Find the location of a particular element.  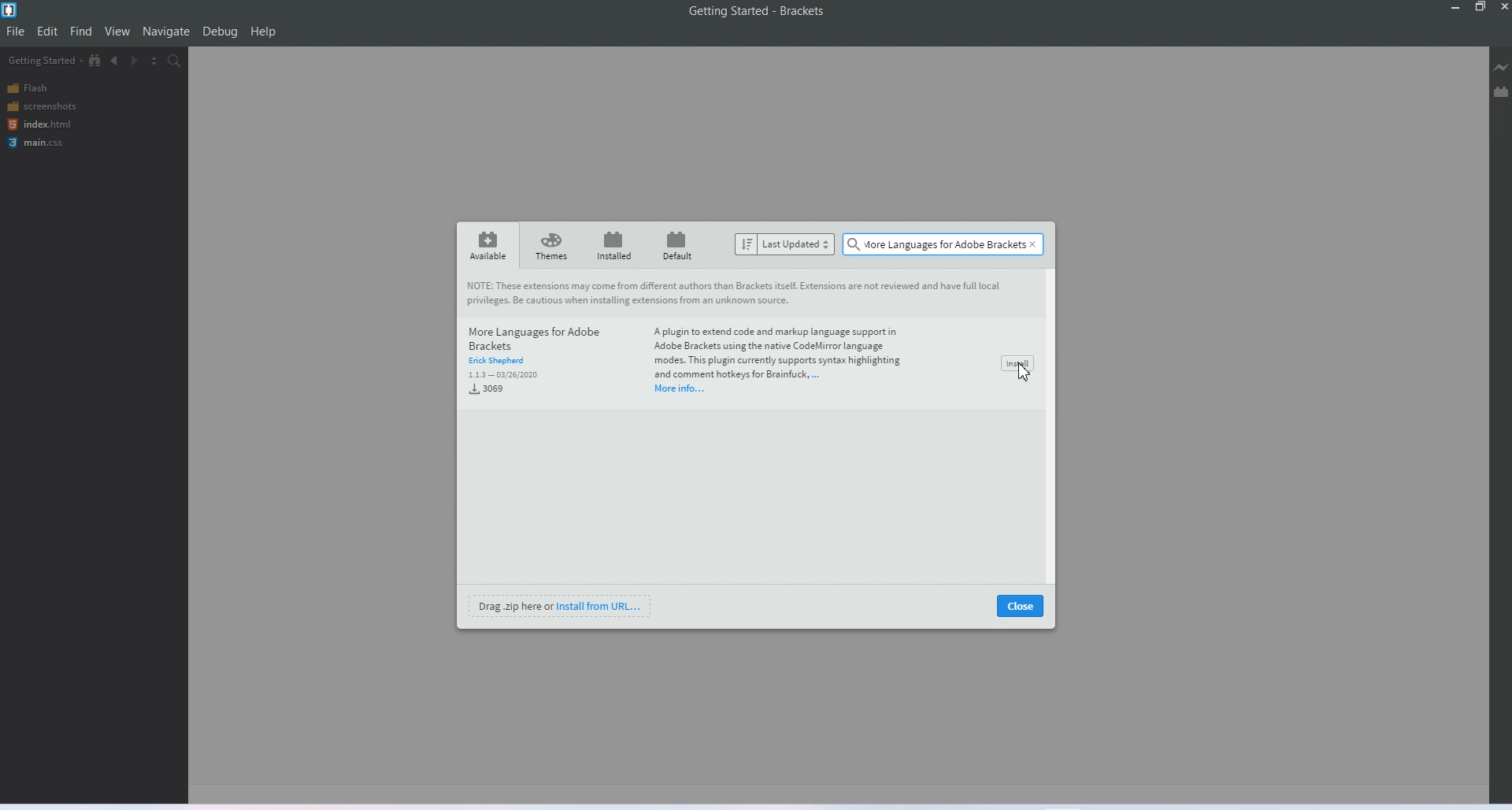

Find in files is located at coordinates (175, 61).